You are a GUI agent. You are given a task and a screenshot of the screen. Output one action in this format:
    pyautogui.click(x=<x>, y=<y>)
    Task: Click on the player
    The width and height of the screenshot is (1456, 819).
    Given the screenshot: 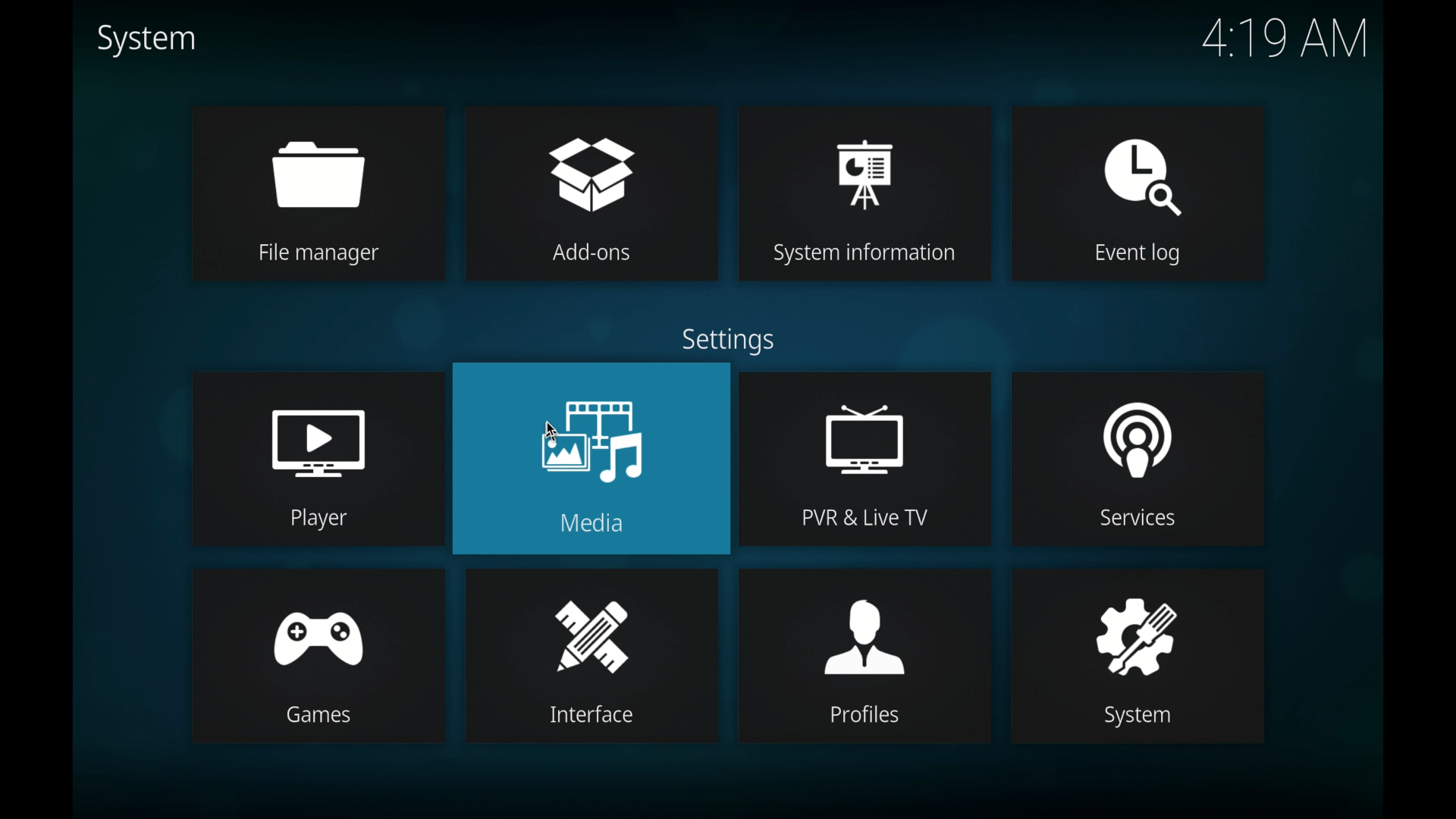 What is the action you would take?
    pyautogui.click(x=318, y=460)
    